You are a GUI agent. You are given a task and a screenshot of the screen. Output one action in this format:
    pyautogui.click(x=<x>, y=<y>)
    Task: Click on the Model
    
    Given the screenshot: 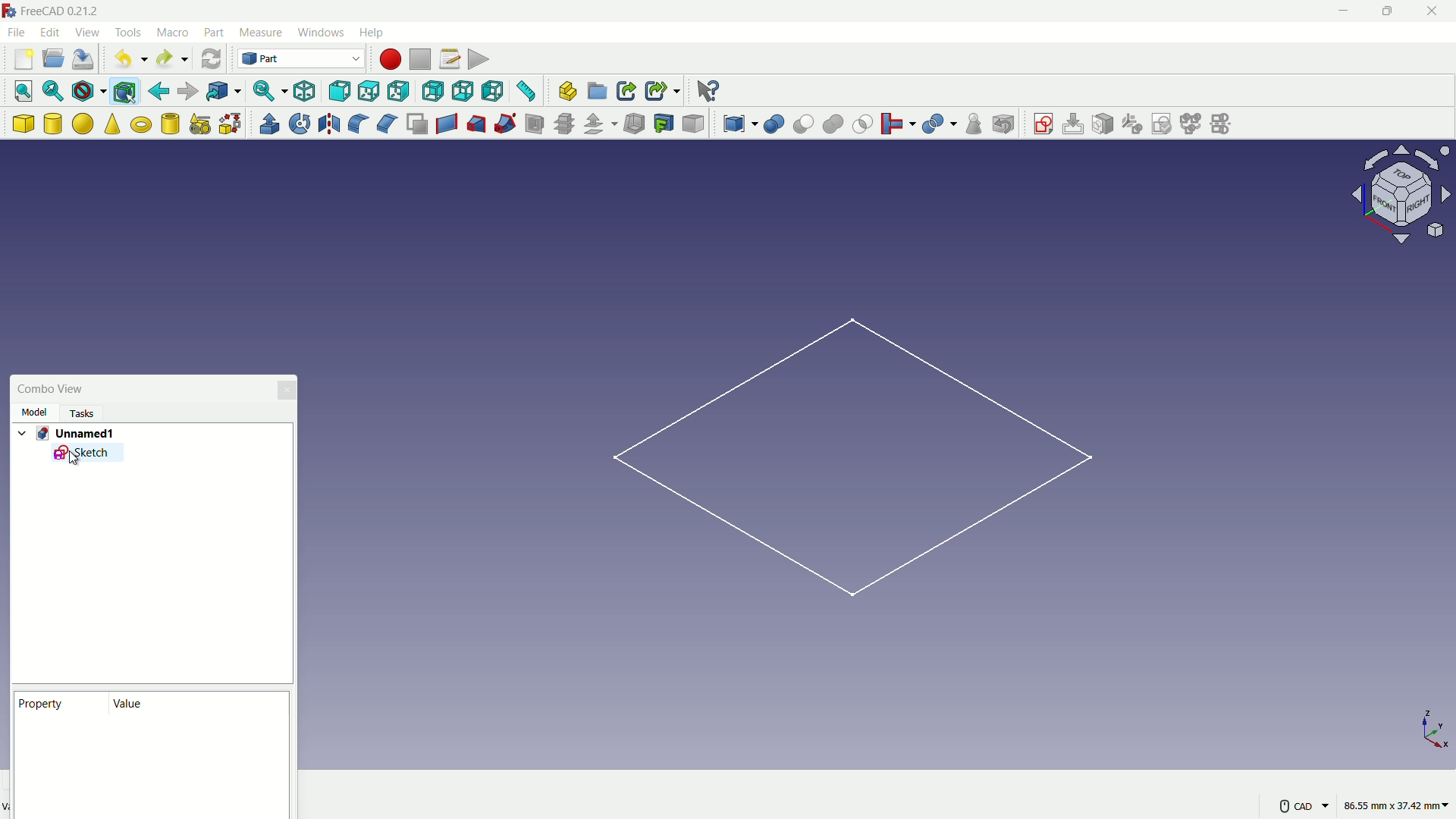 What is the action you would take?
    pyautogui.click(x=36, y=411)
    